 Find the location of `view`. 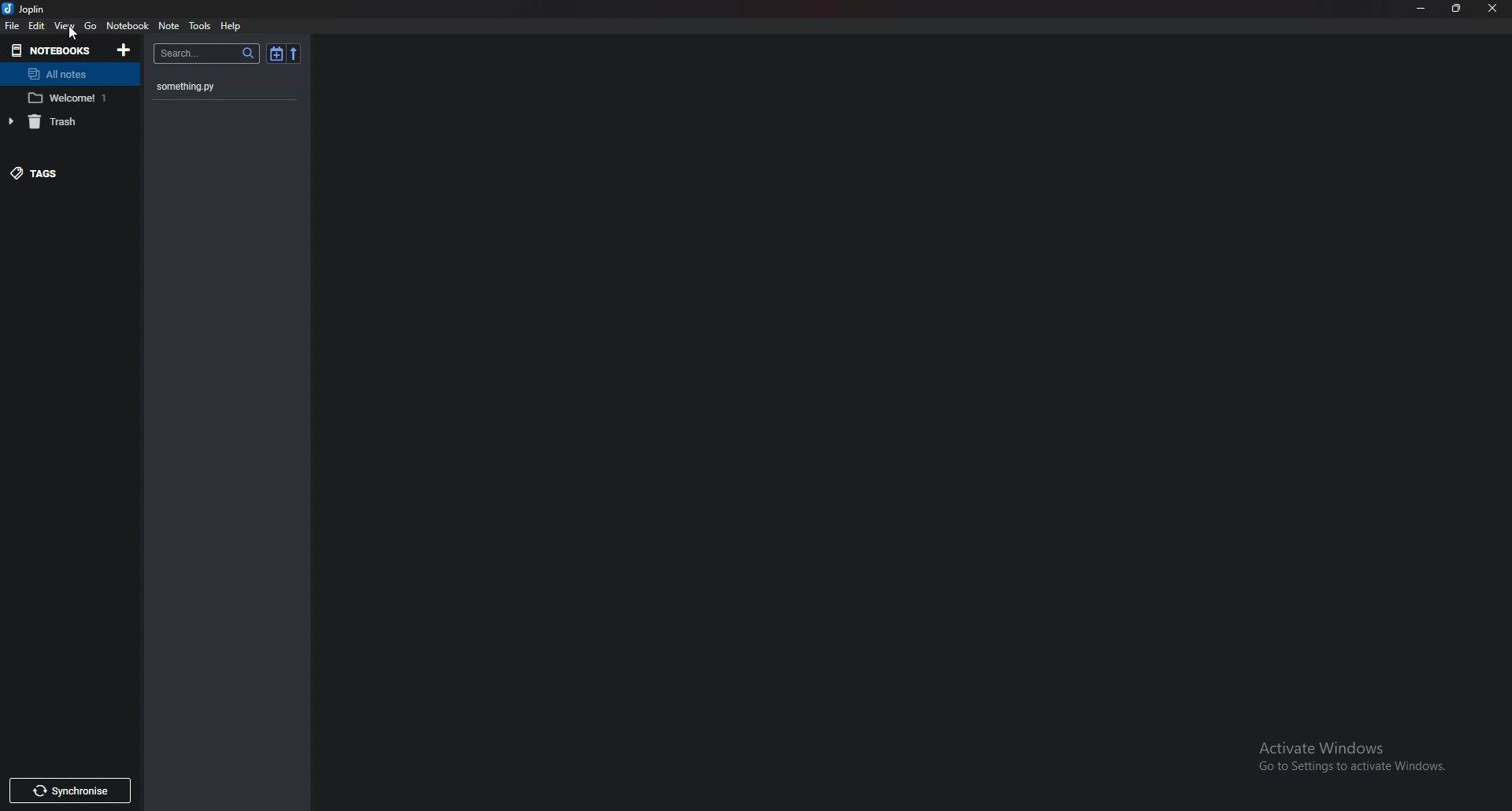

view is located at coordinates (65, 27).